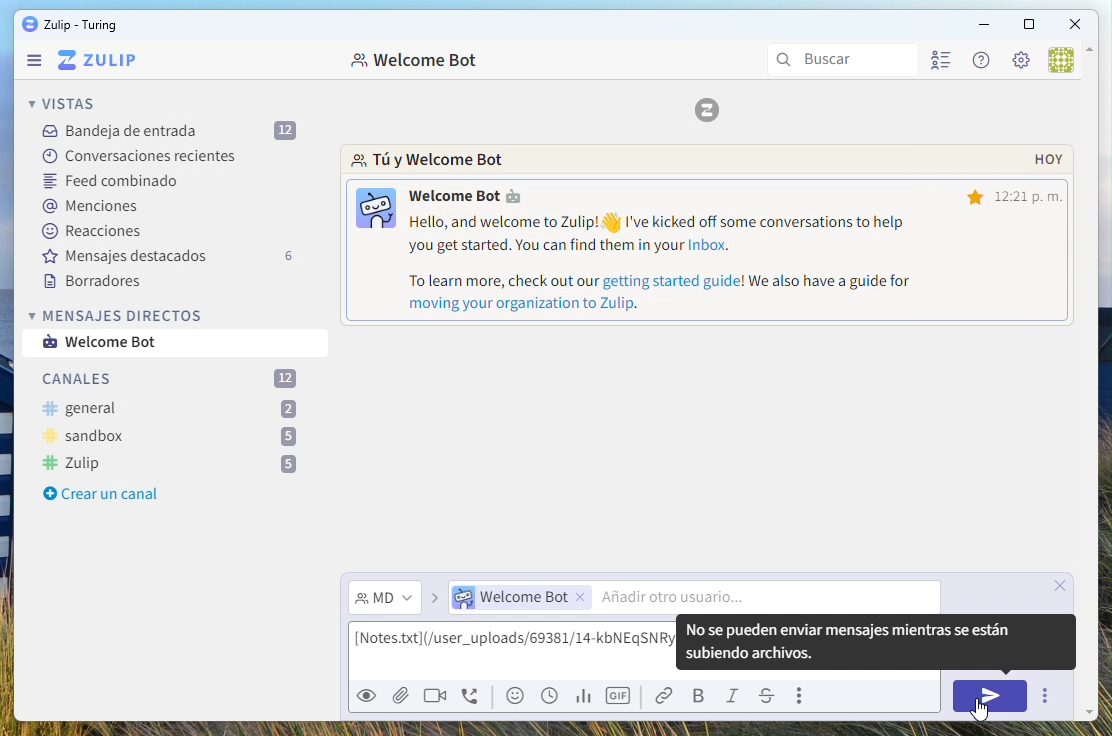 The image size is (1112, 736). Describe the element at coordinates (435, 694) in the screenshot. I see `Videocall` at that location.